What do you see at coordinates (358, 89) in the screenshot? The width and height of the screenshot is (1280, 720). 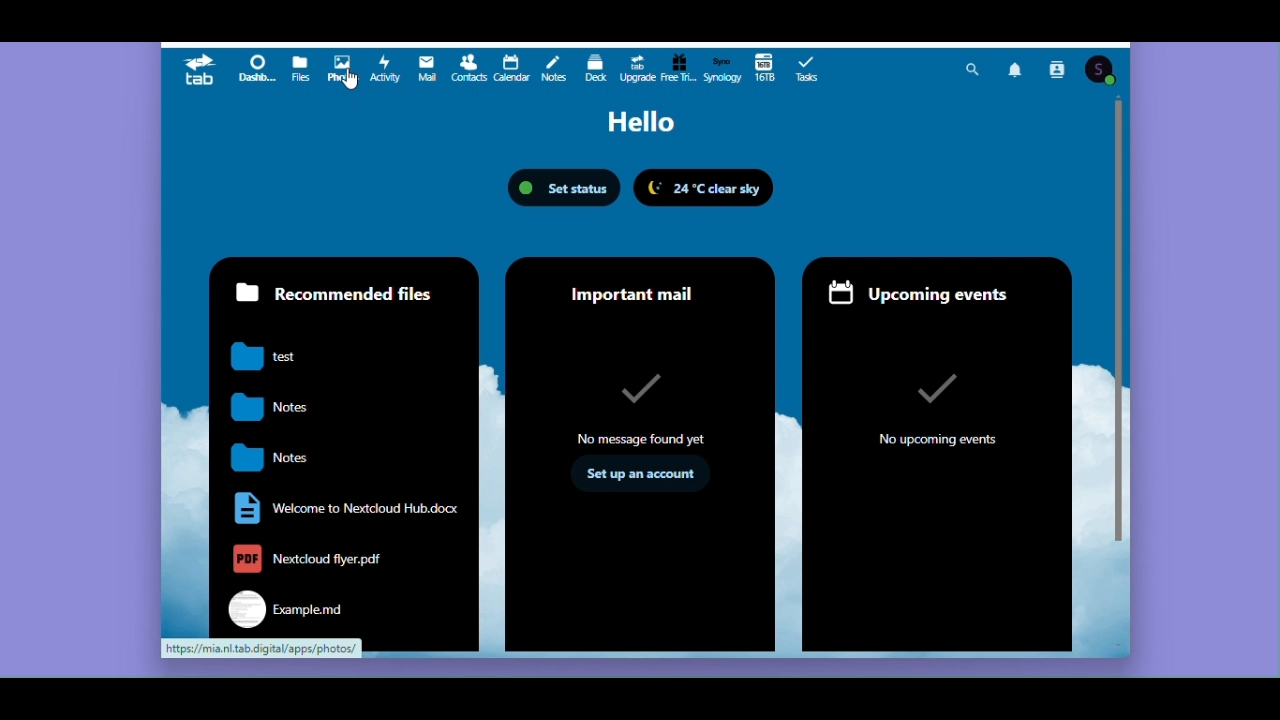 I see `Mouse pointer` at bounding box center [358, 89].